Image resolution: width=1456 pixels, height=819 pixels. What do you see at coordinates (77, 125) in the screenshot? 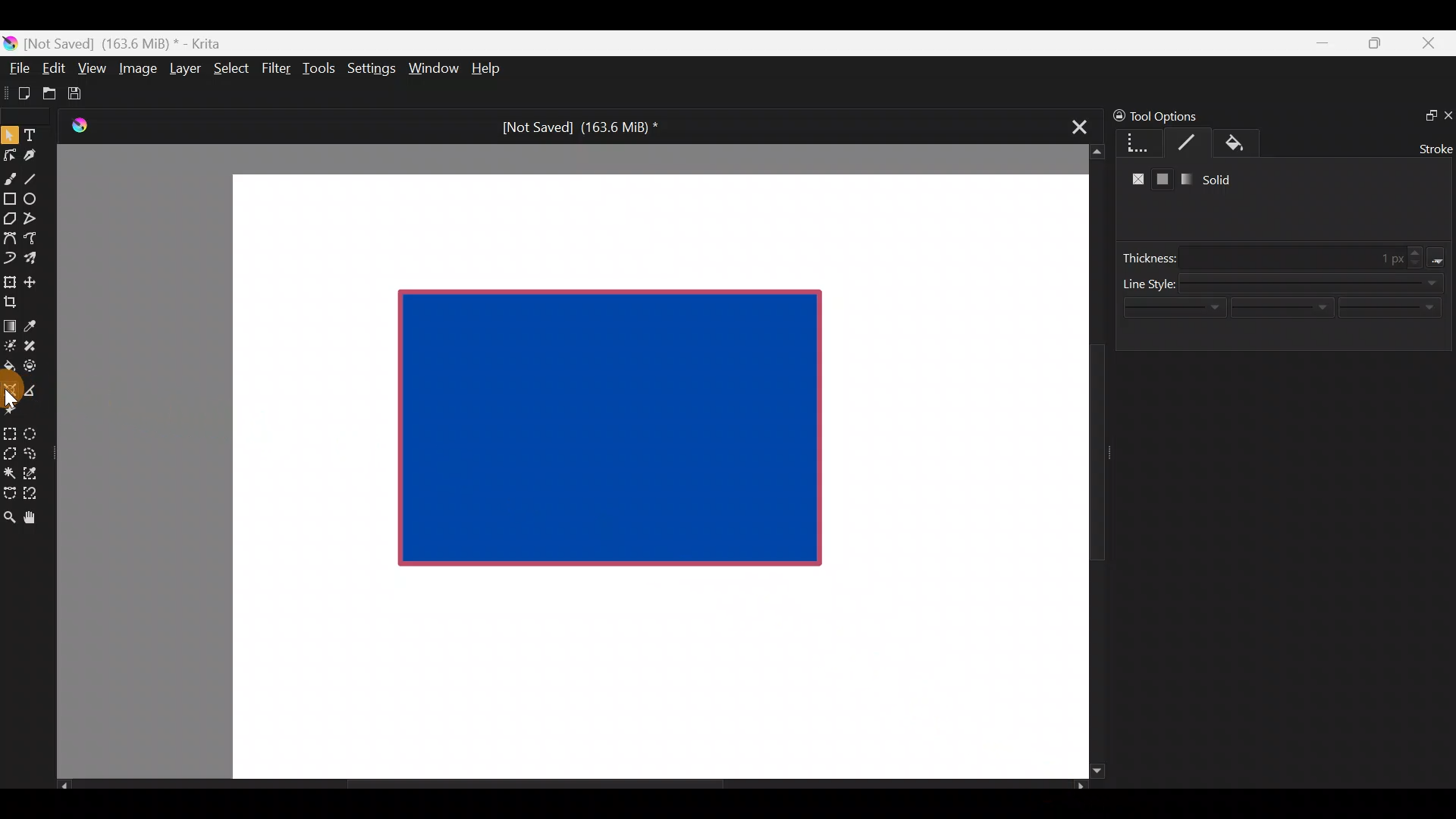
I see `Krita Logo` at bounding box center [77, 125].